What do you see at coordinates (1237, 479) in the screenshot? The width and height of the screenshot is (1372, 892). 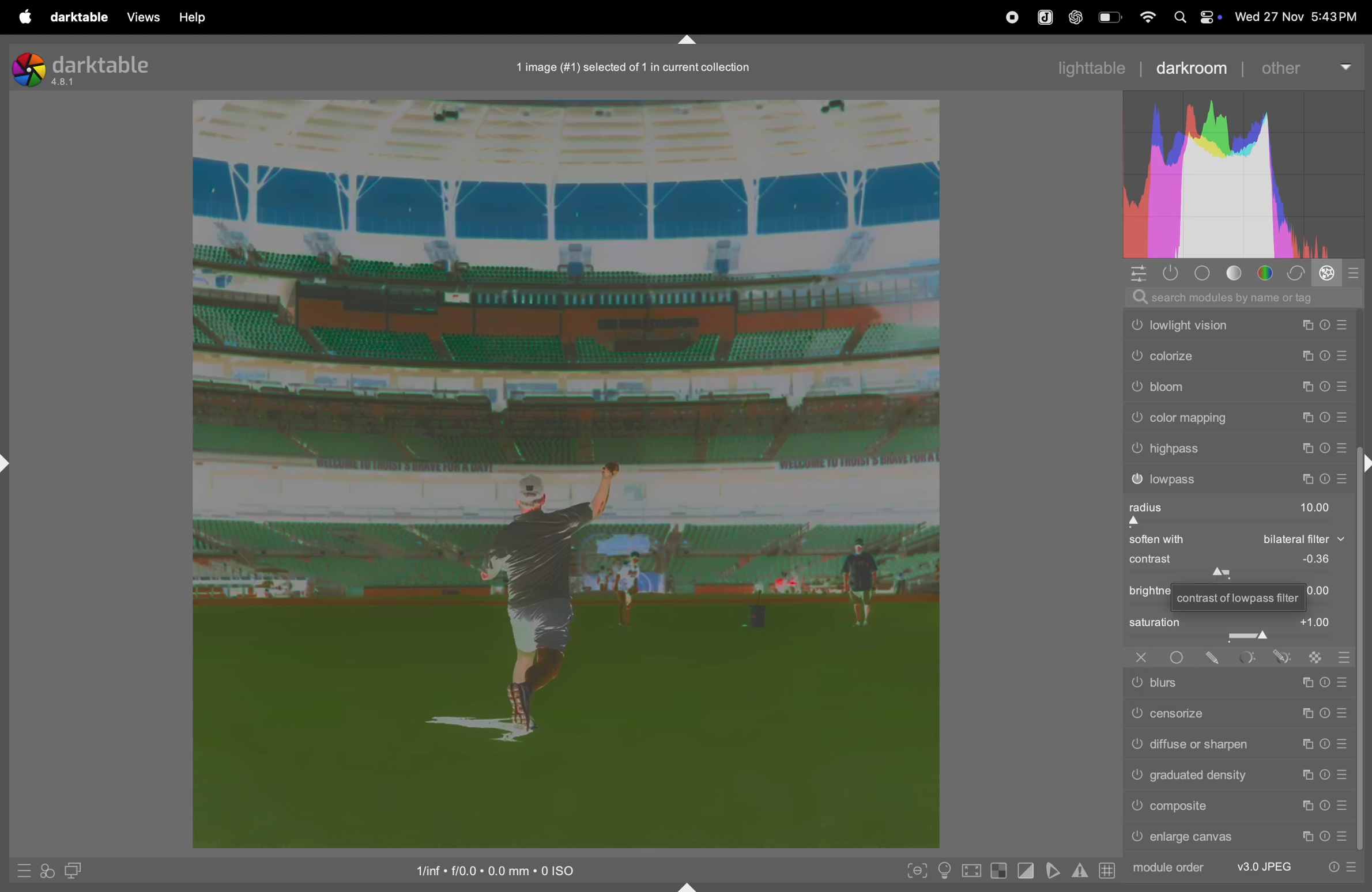 I see `lowpass` at bounding box center [1237, 479].